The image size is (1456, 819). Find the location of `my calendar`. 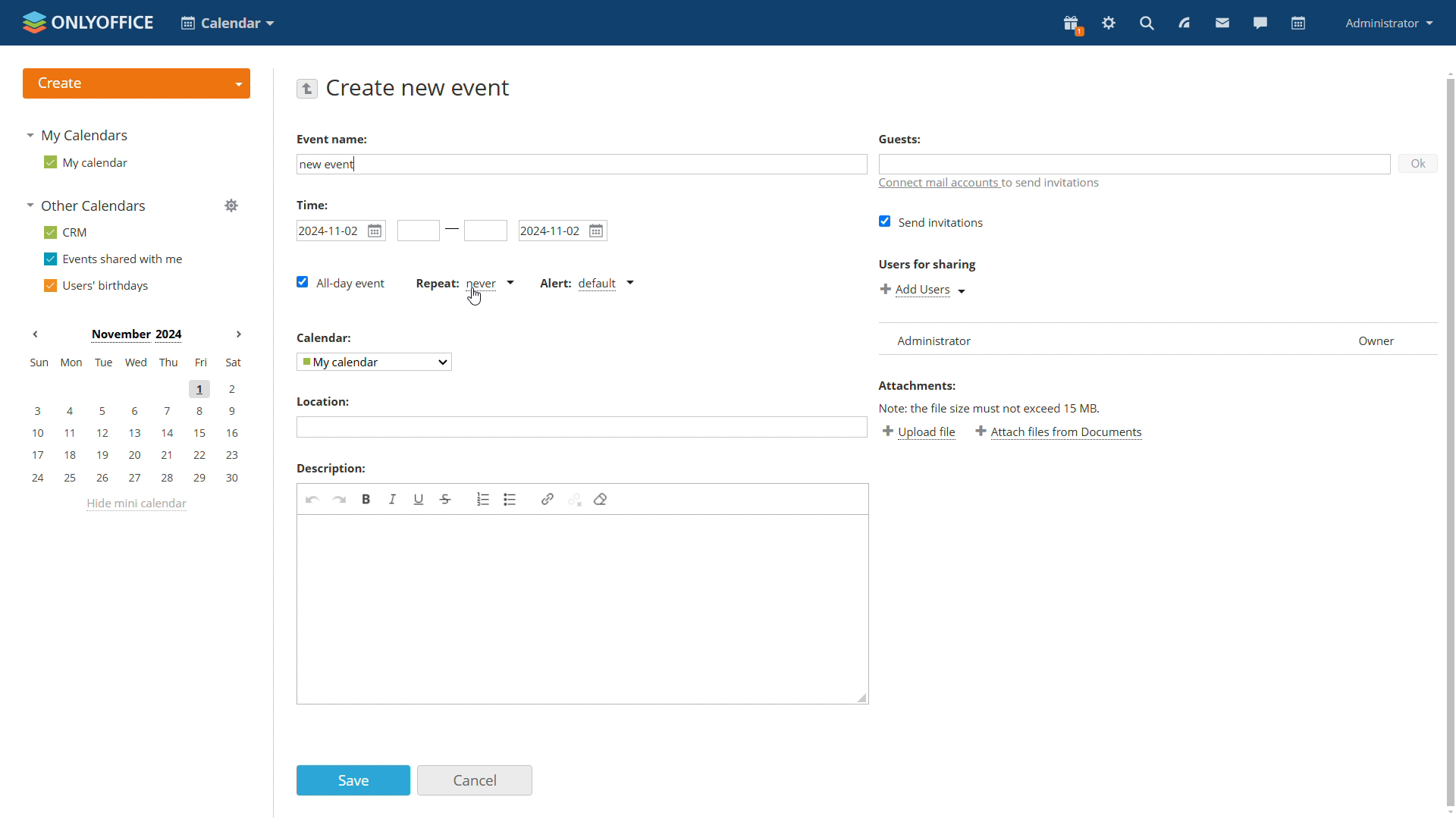

my calendar is located at coordinates (86, 162).